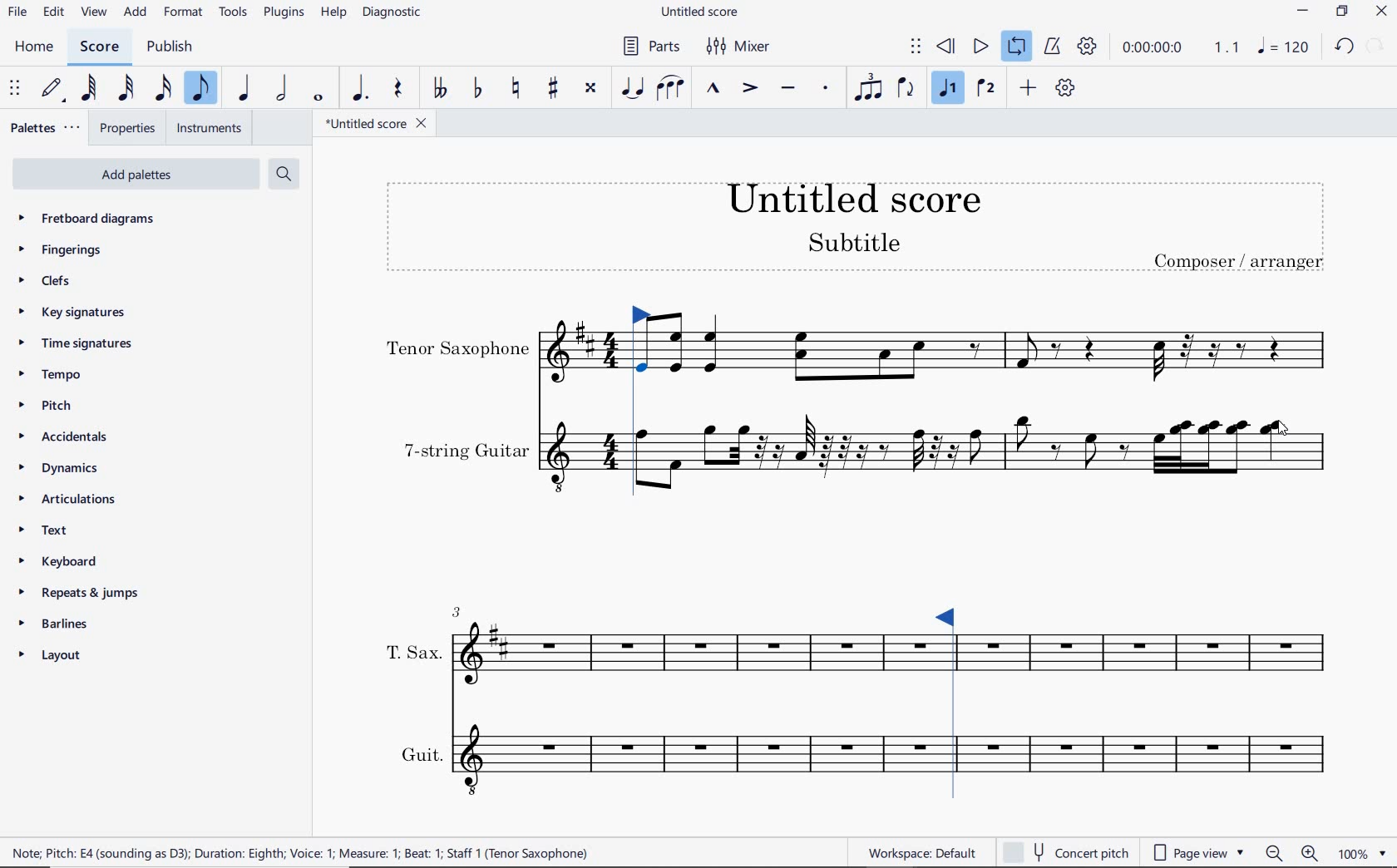 This screenshot has width=1397, height=868. Describe the element at coordinates (1380, 13) in the screenshot. I see `CLOSE` at that location.